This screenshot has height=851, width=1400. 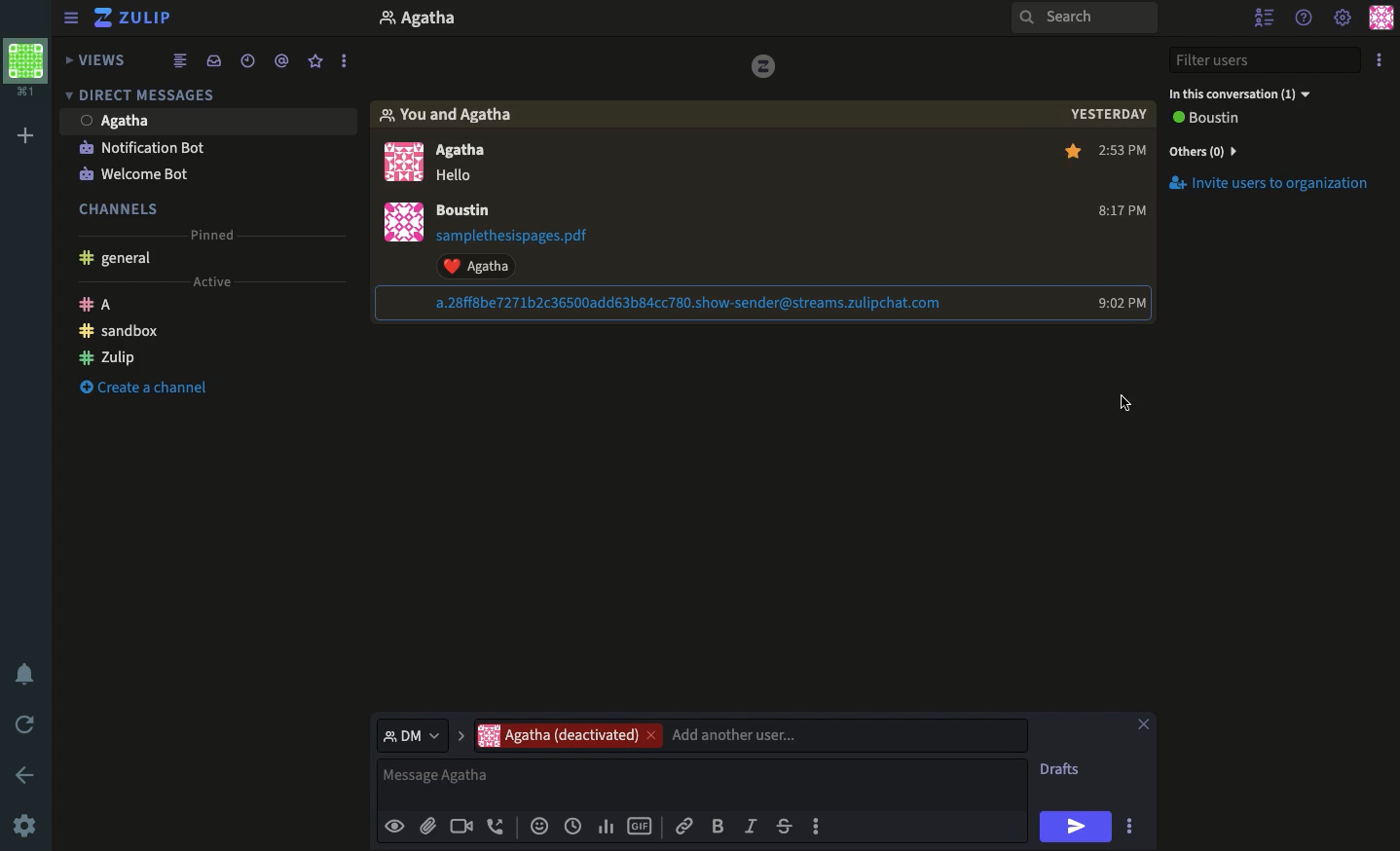 I want to click on Inbox, so click(x=215, y=59).